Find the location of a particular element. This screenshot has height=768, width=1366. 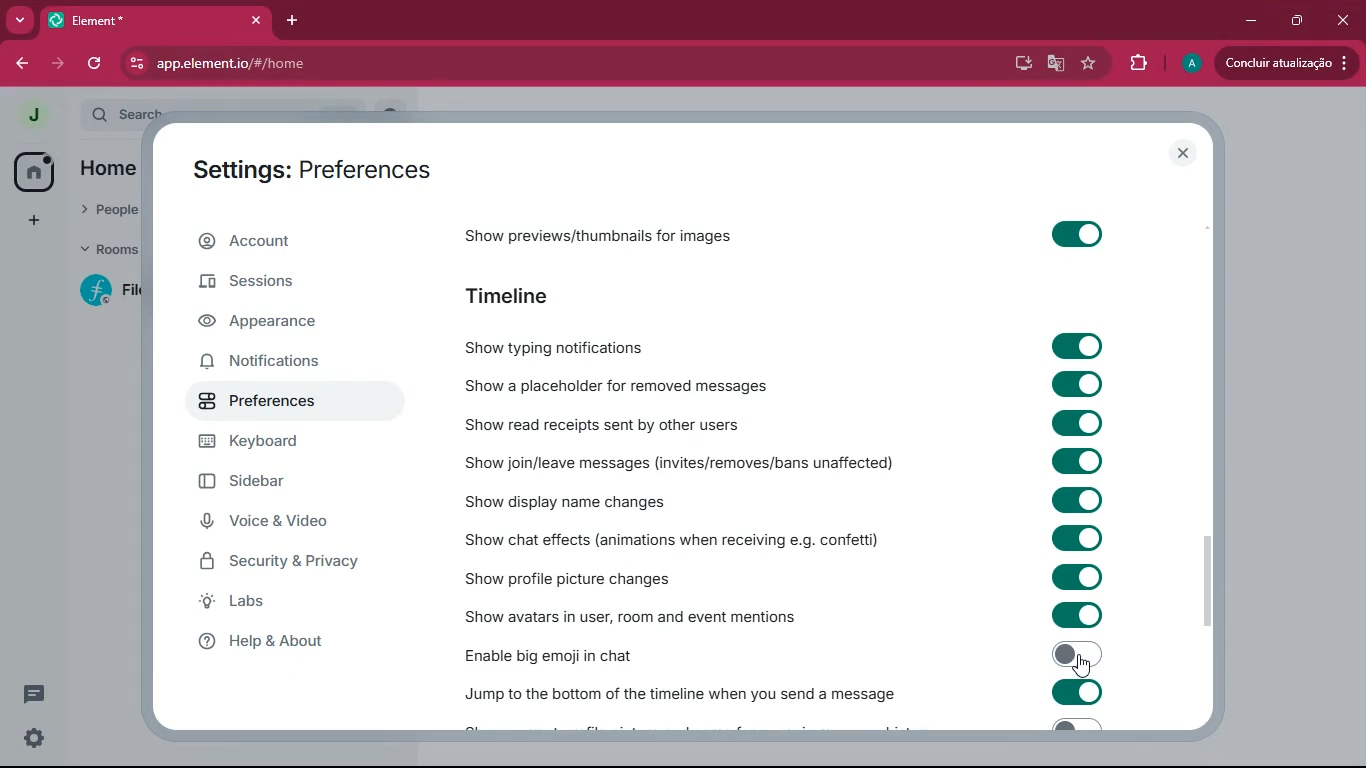

sessions is located at coordinates (288, 288).